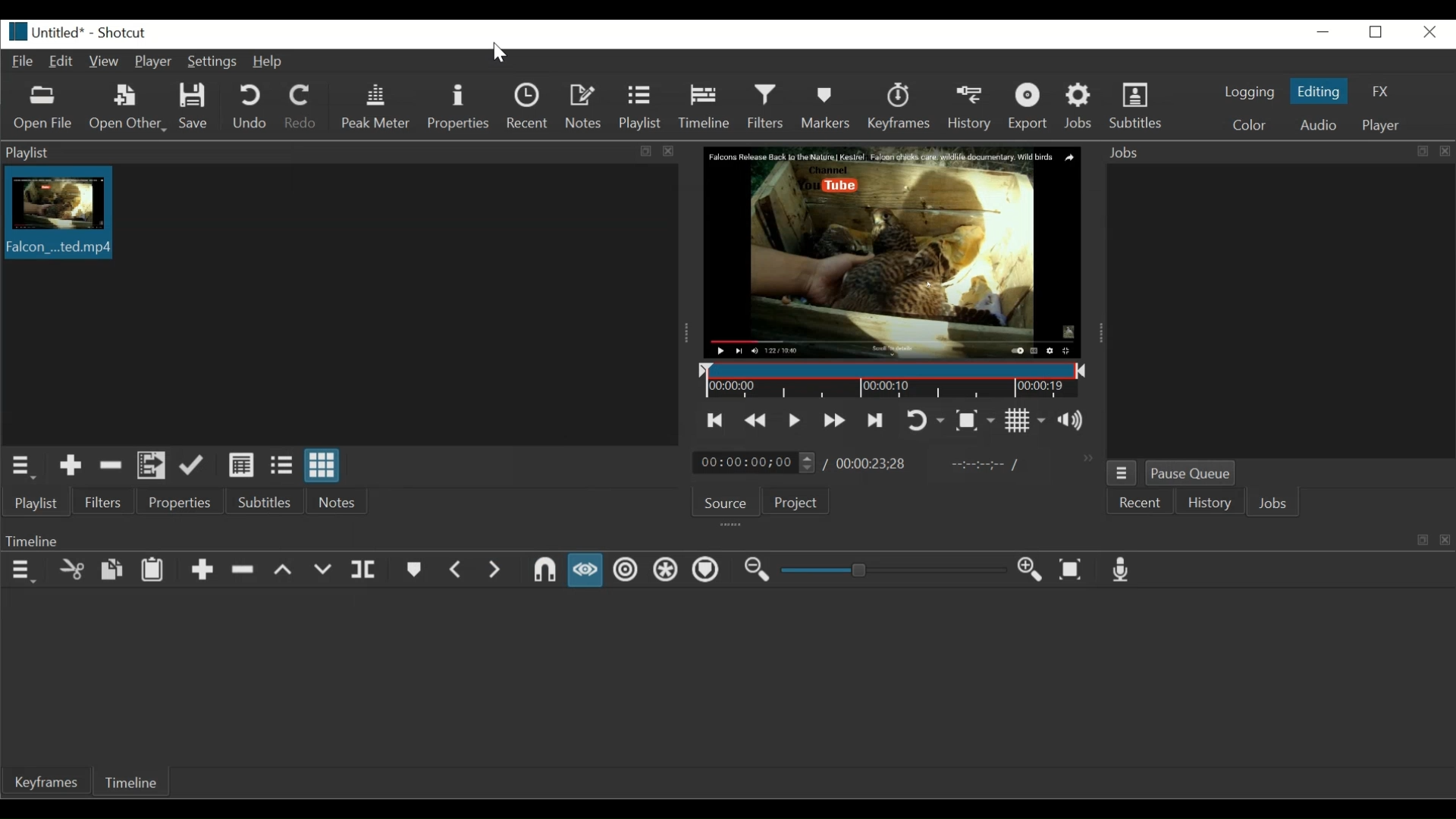 The width and height of the screenshot is (1456, 819). What do you see at coordinates (155, 61) in the screenshot?
I see `Player` at bounding box center [155, 61].